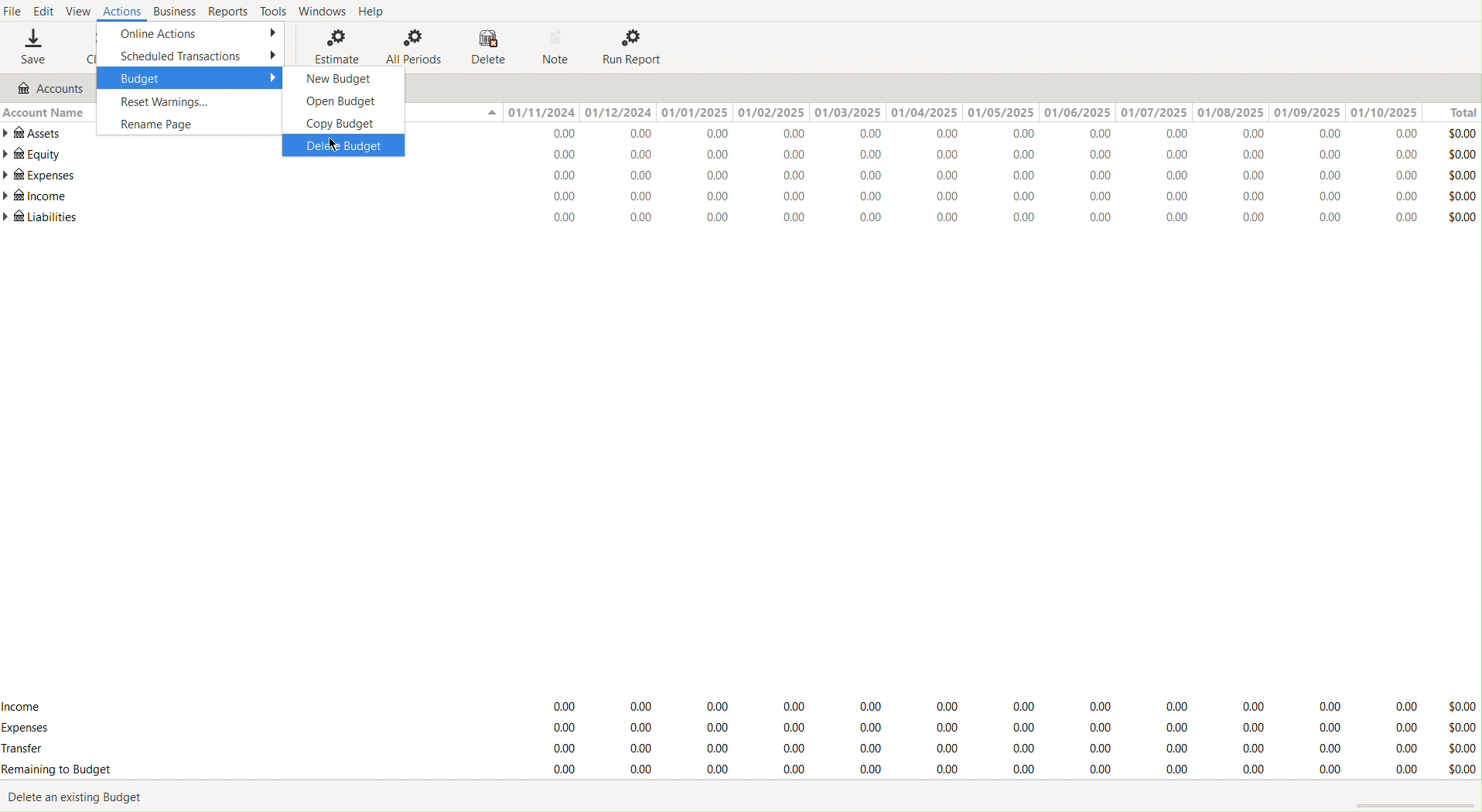 The image size is (1482, 812). I want to click on Help, so click(376, 11).